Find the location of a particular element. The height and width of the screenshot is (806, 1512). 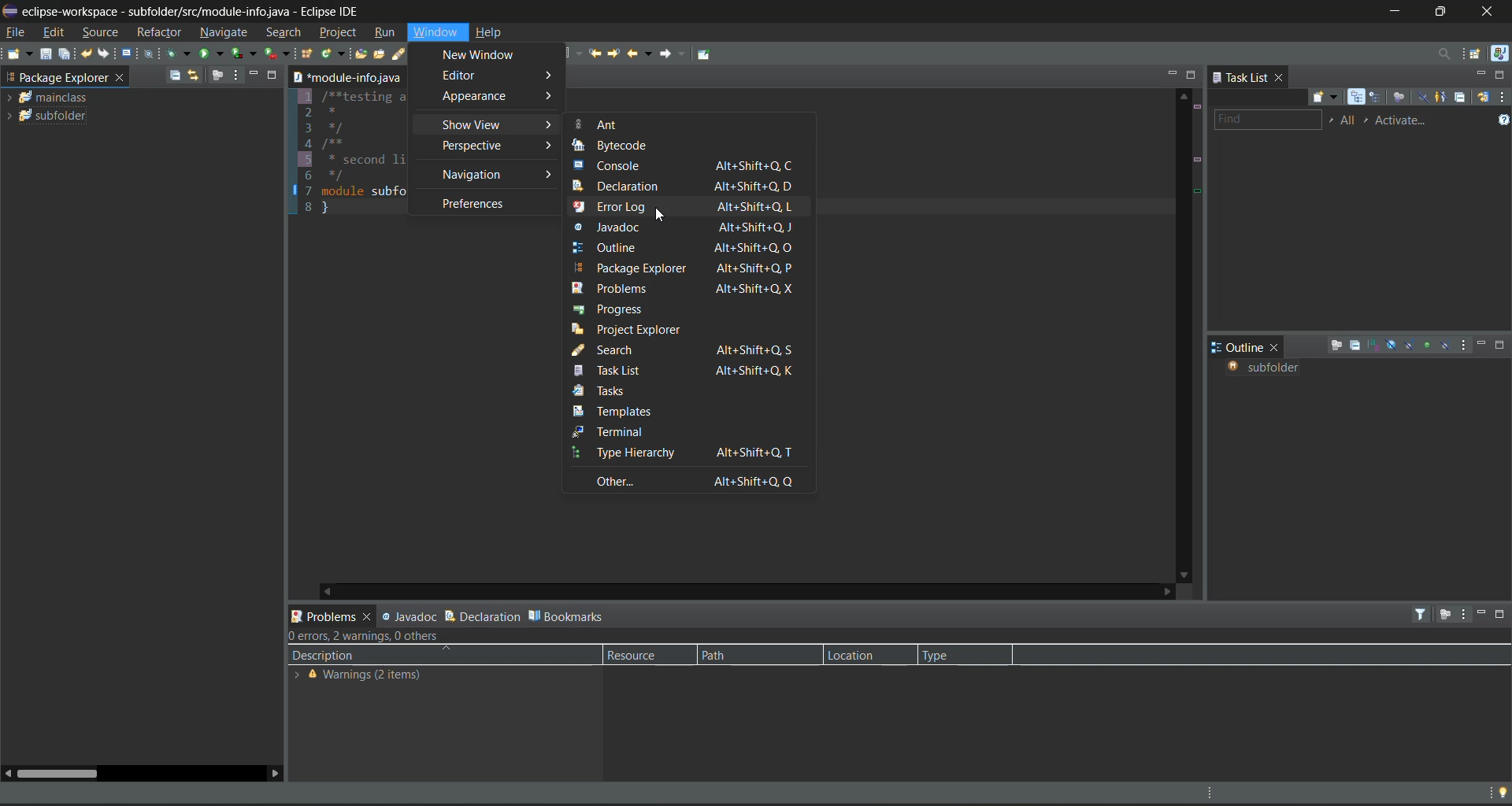

location is located at coordinates (864, 654).